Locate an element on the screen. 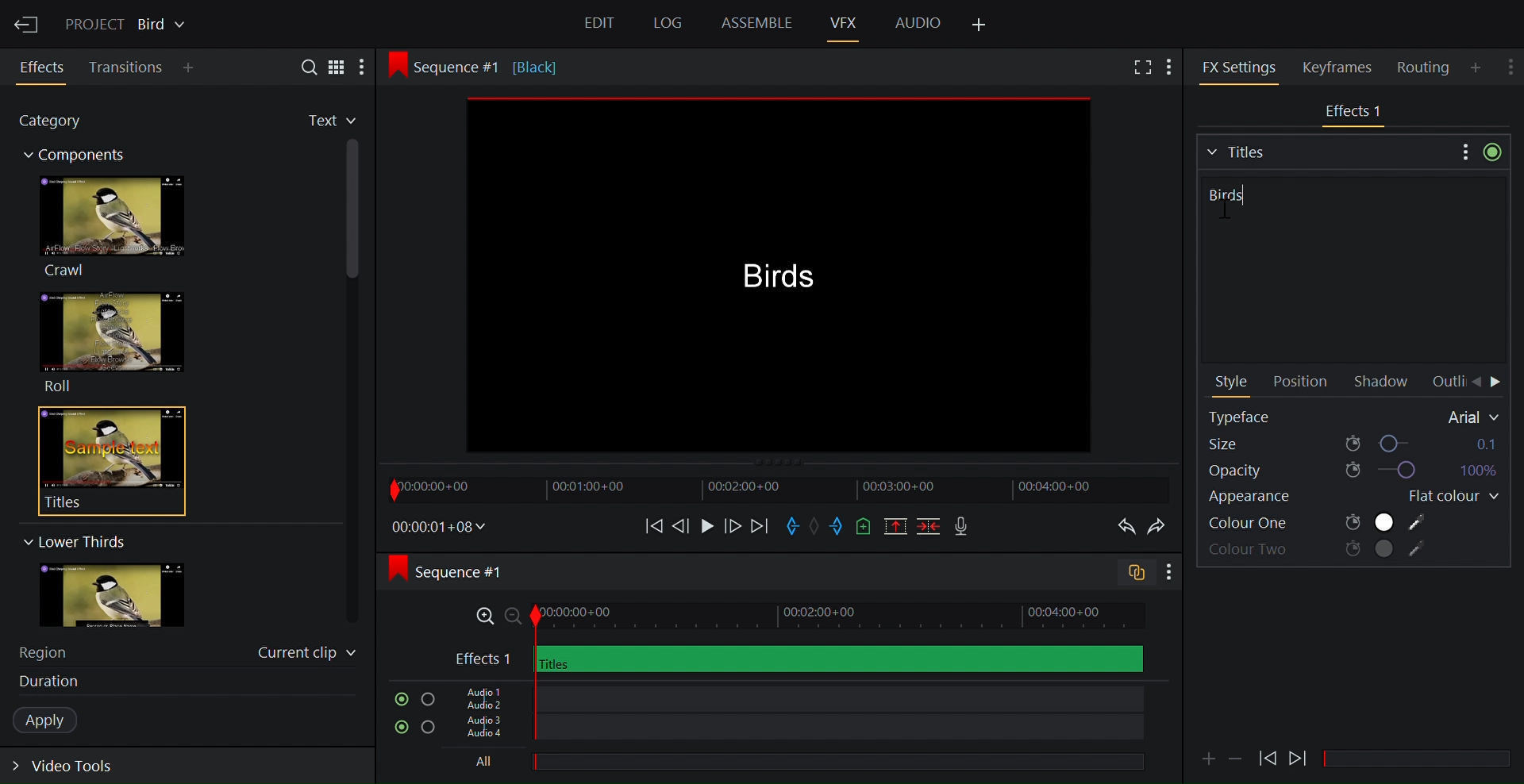 The image size is (1524, 784). Video Track Effects is located at coordinates (799, 659).